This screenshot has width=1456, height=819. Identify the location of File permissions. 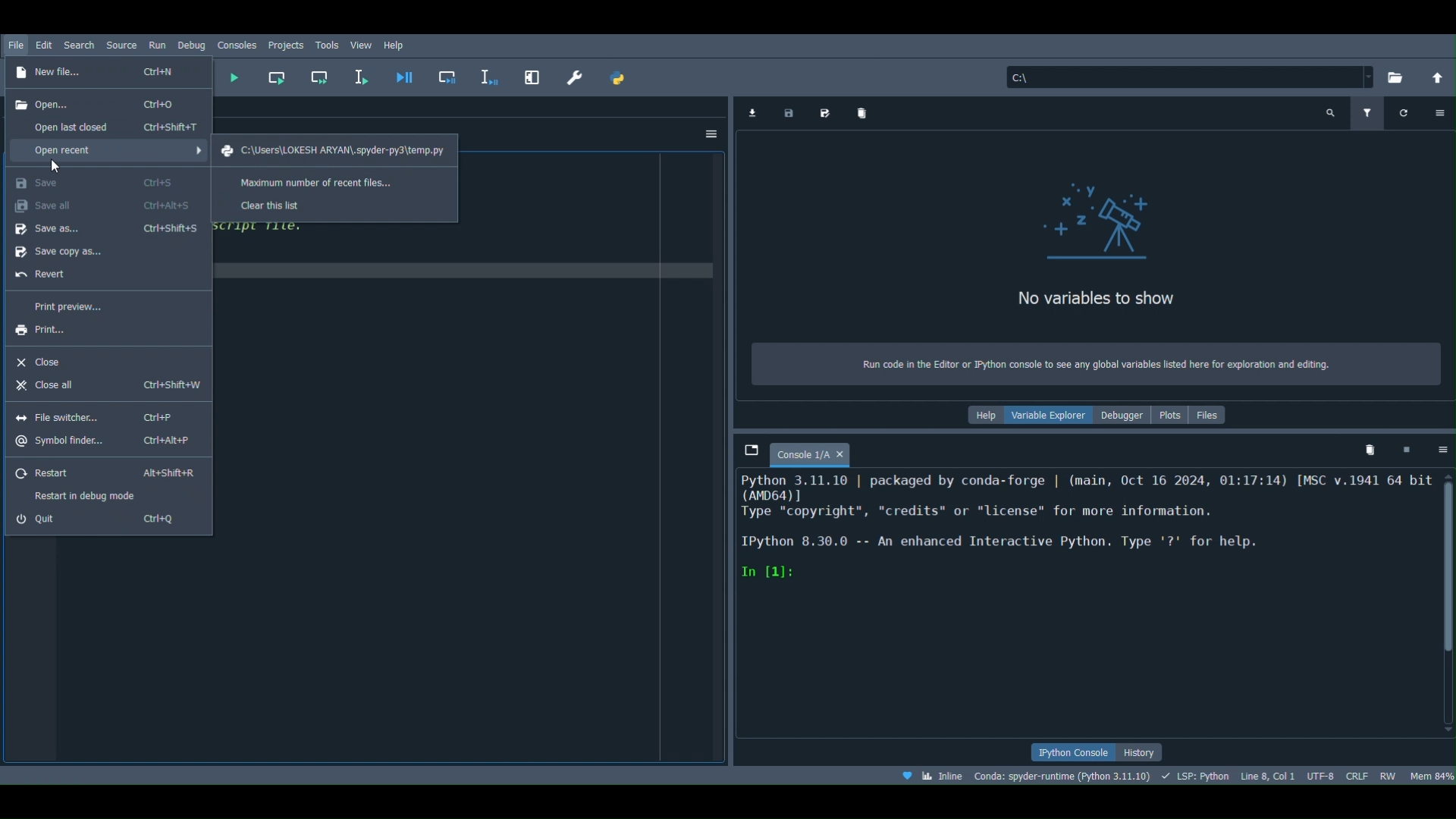
(1389, 772).